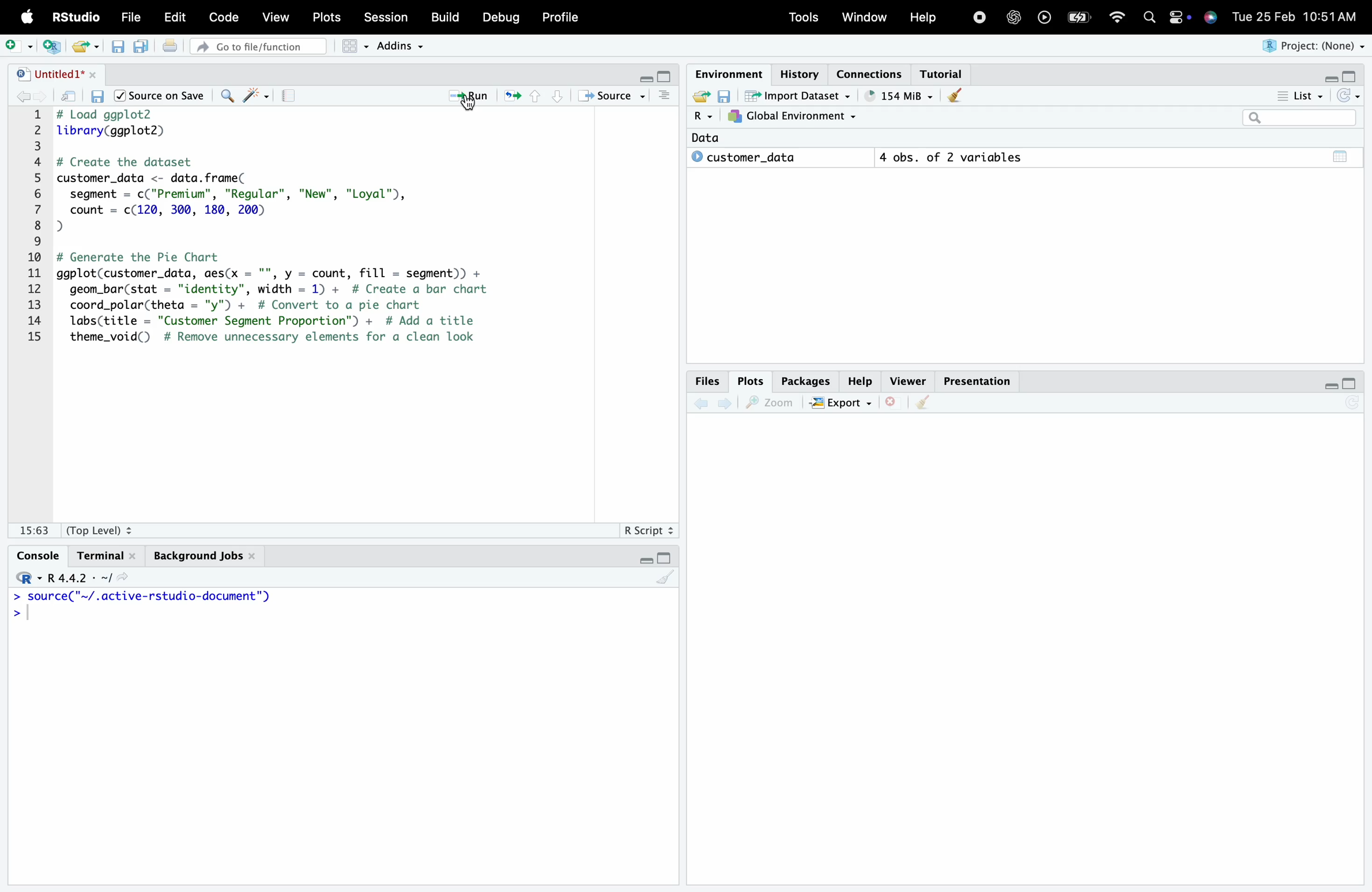  Describe the element at coordinates (555, 96) in the screenshot. I see `bottom` at that location.